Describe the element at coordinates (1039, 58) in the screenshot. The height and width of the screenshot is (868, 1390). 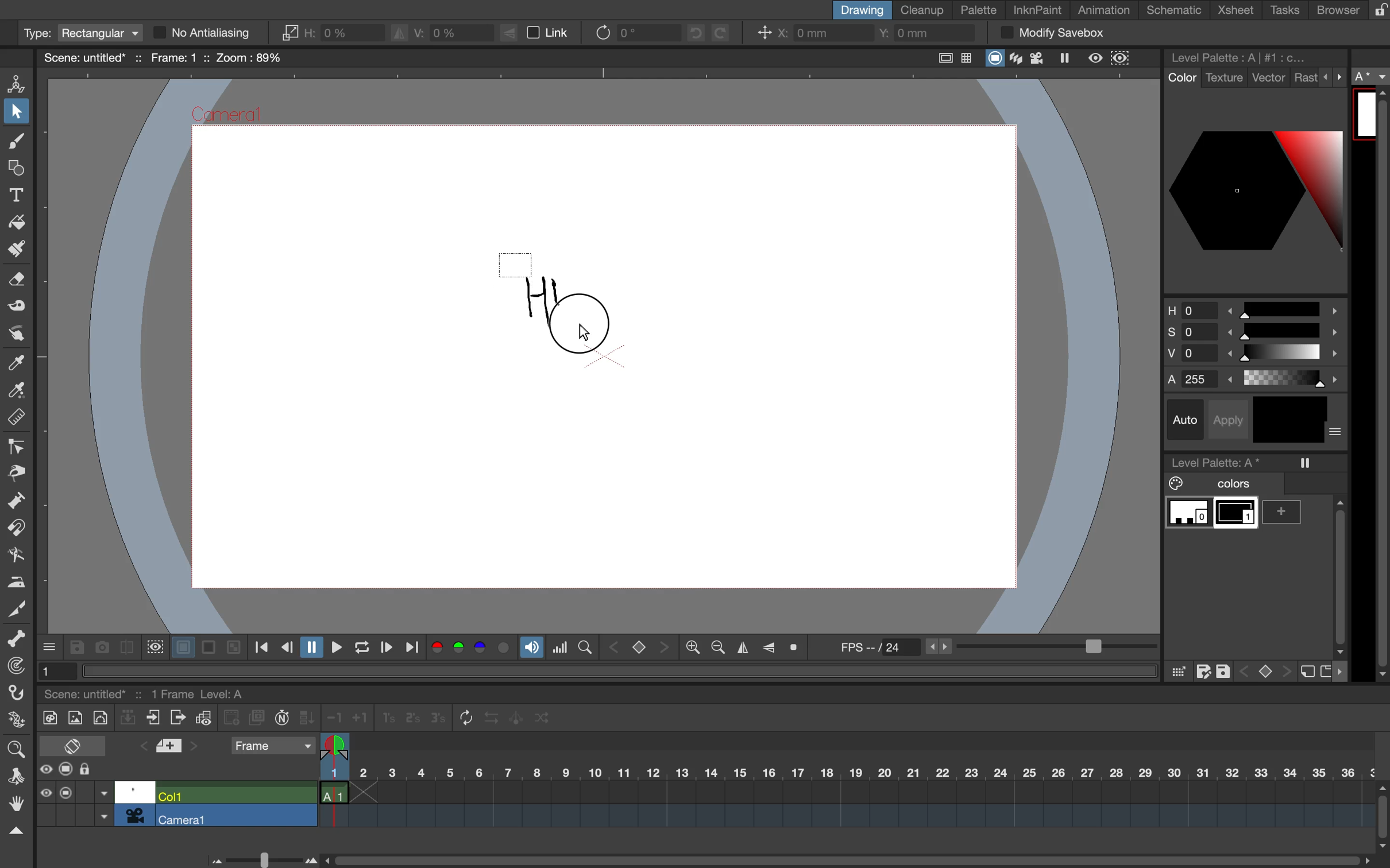
I see `camera view` at that location.